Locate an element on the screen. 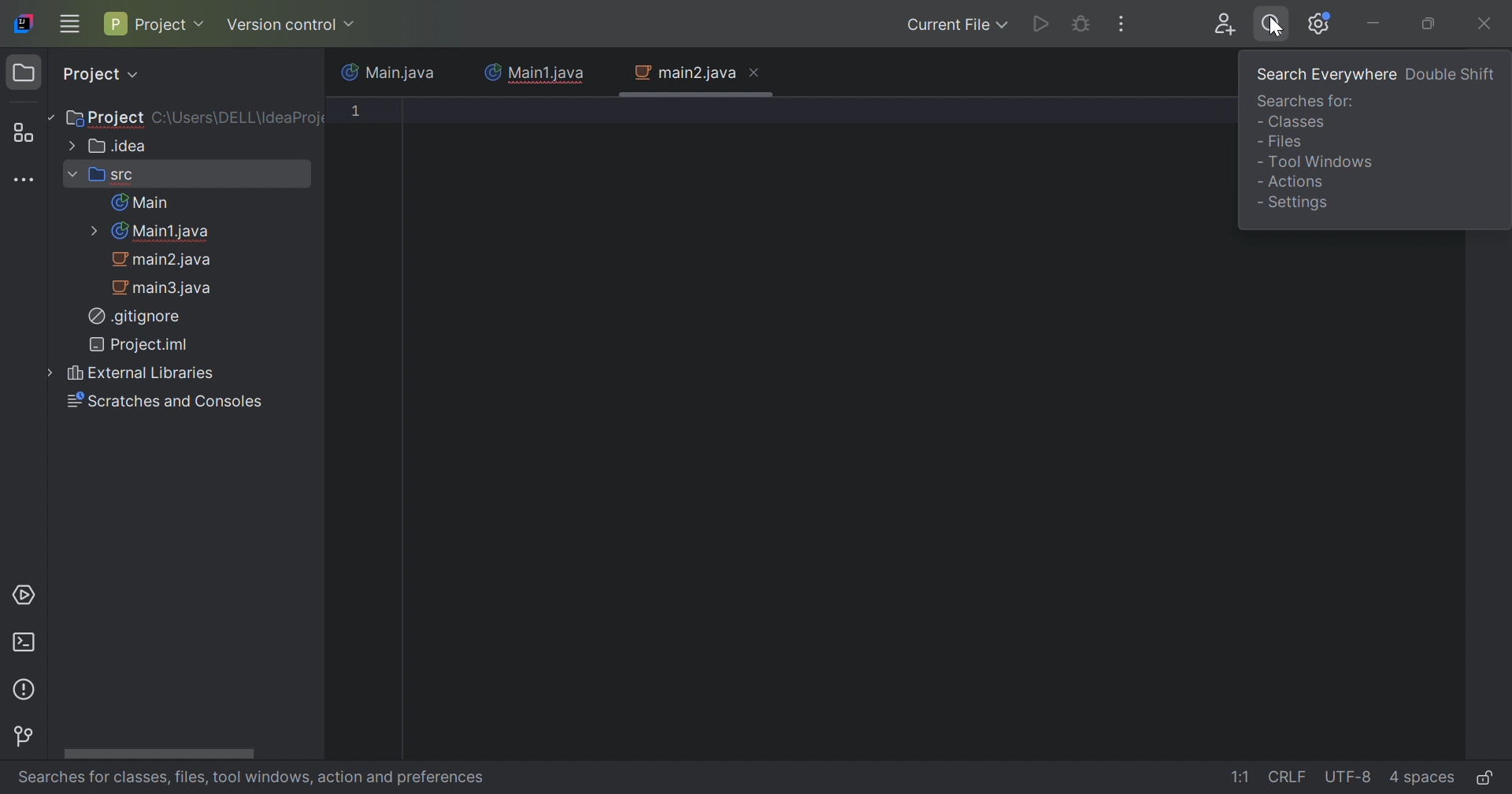 This screenshot has width=1512, height=794. 1 is located at coordinates (359, 110).